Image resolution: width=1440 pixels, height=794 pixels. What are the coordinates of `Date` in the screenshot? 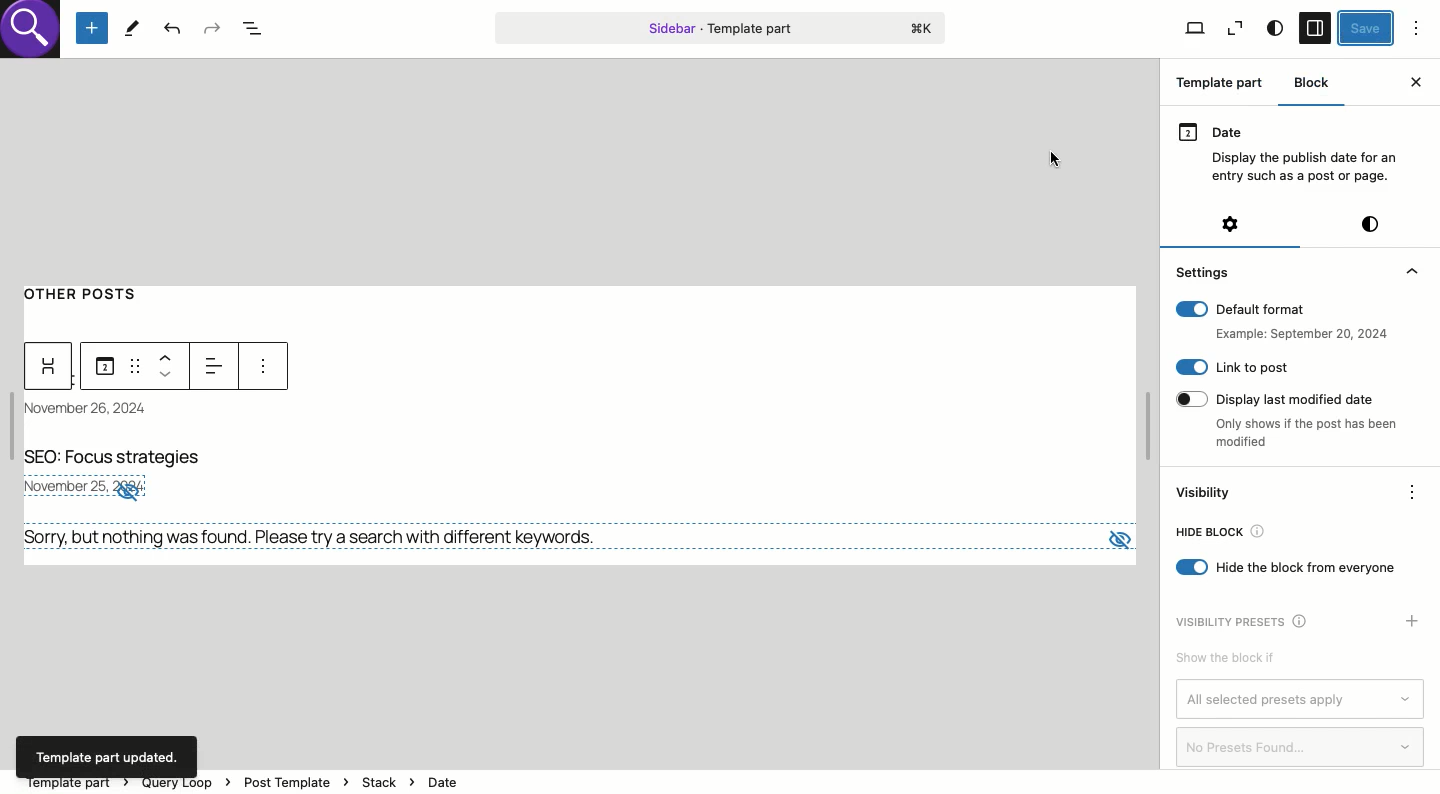 It's located at (1292, 151).